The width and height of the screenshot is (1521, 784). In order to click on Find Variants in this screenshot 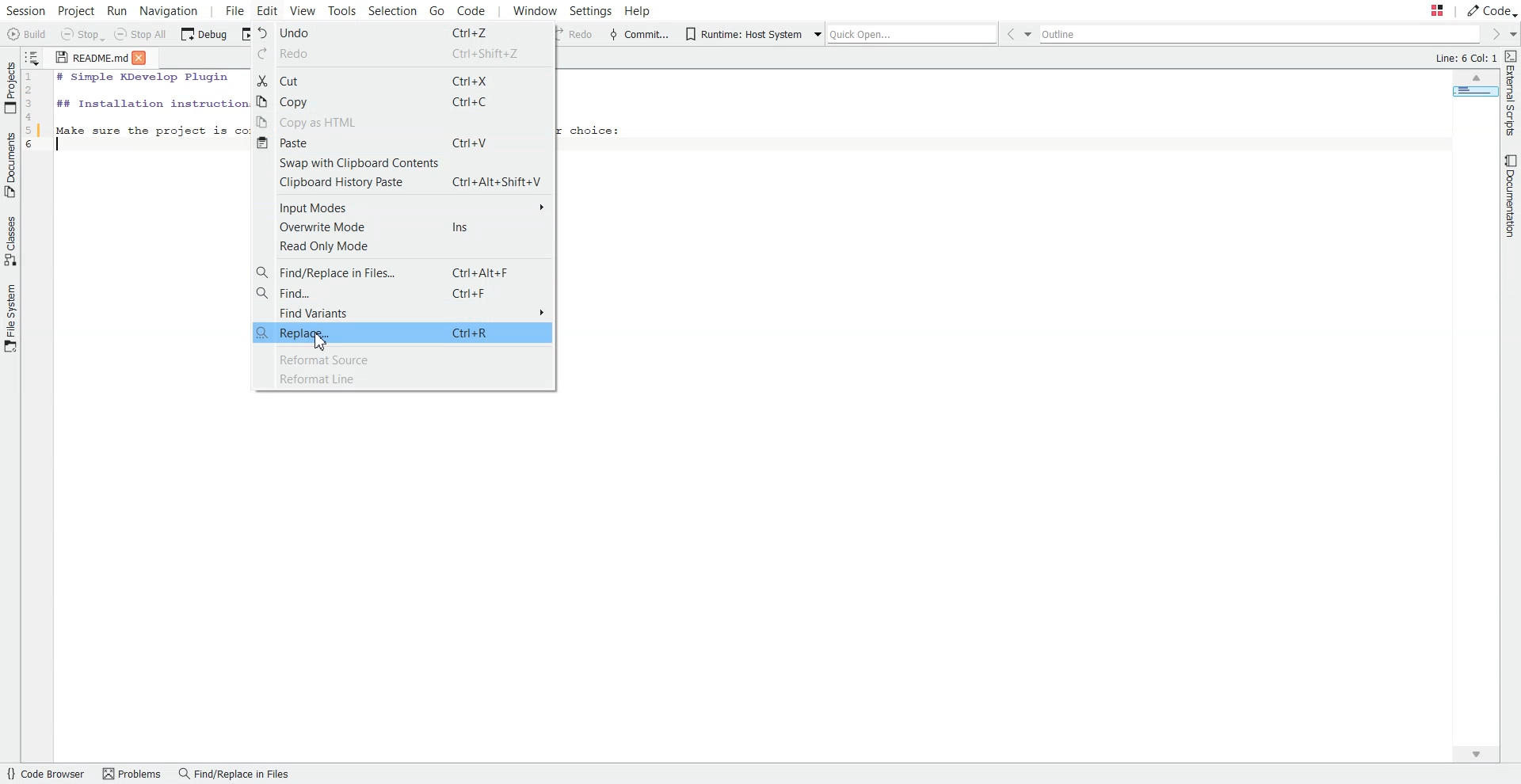, I will do `click(403, 312)`.